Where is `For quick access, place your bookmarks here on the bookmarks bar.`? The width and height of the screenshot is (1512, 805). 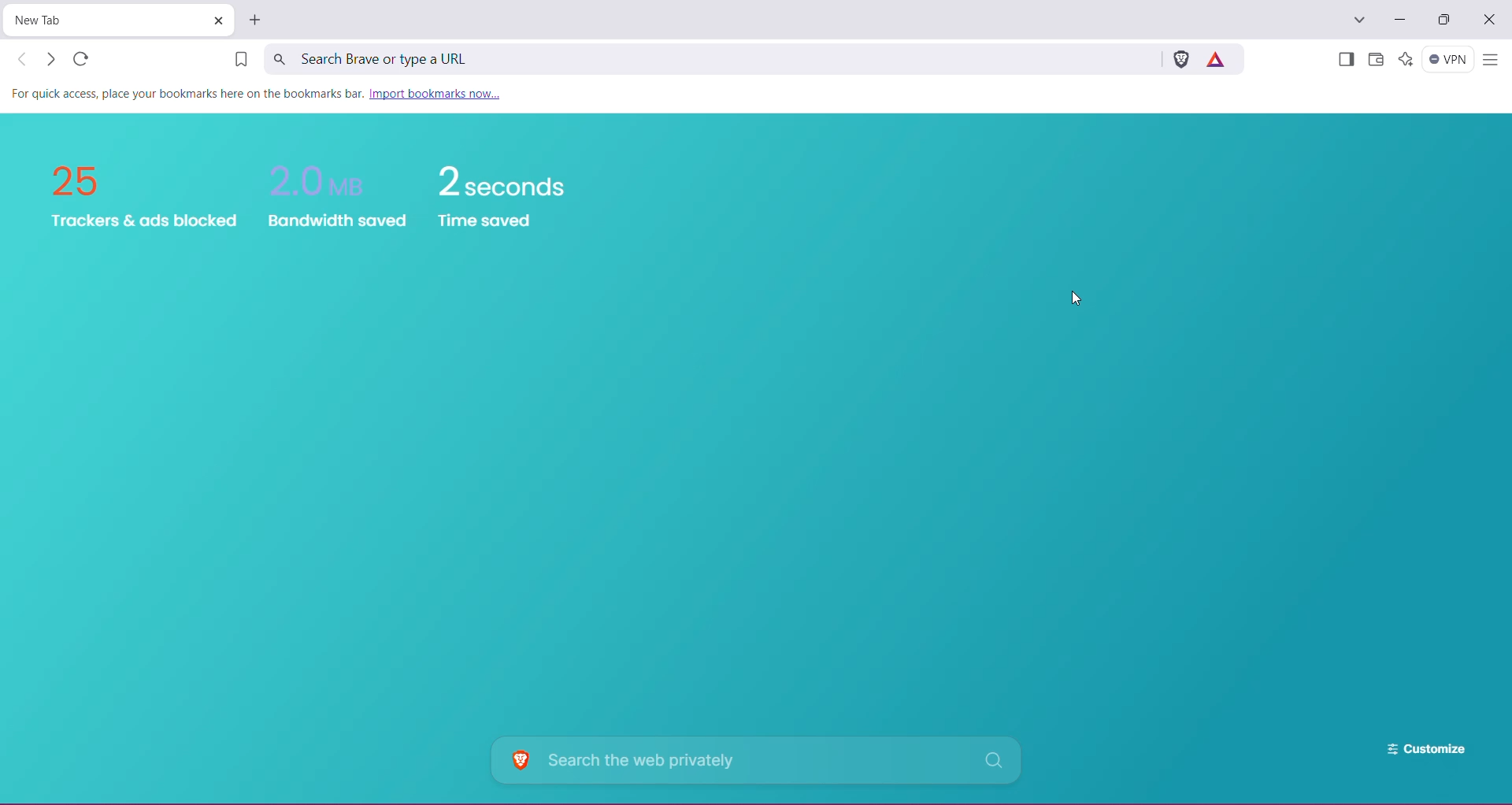
For quick access, place your bookmarks here on the bookmarks bar. is located at coordinates (186, 93).